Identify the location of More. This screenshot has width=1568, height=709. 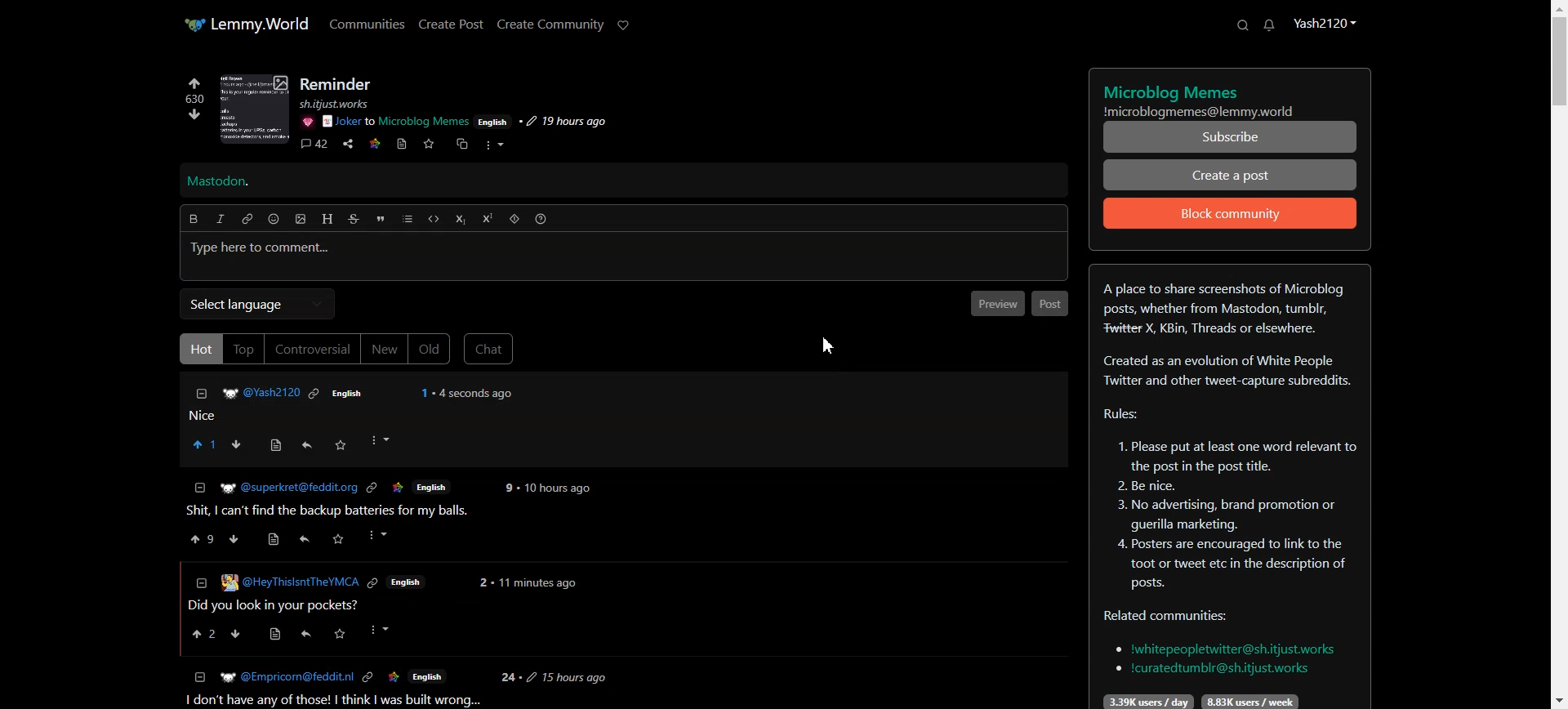
(494, 145).